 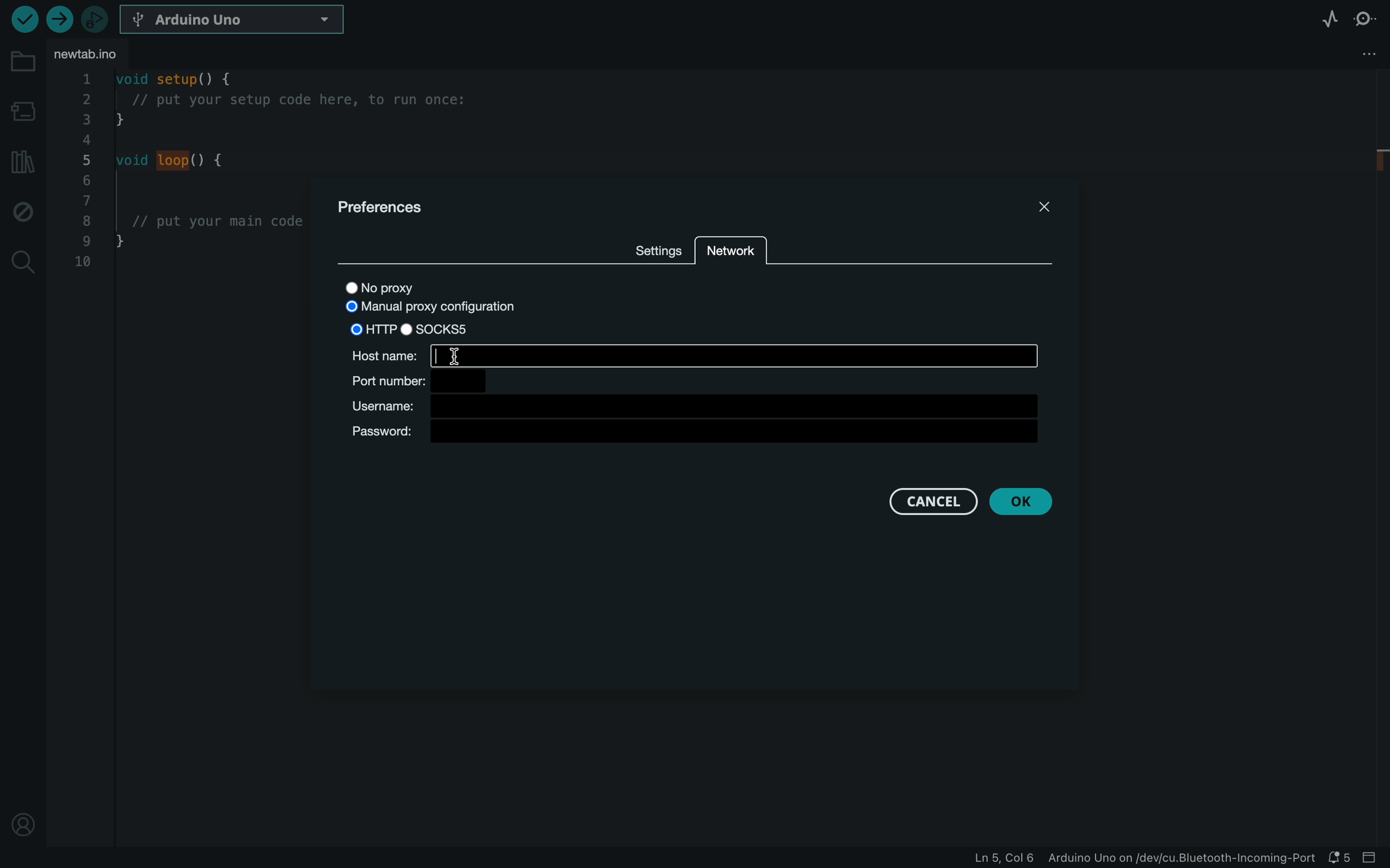 What do you see at coordinates (96, 18) in the screenshot?
I see `debugger` at bounding box center [96, 18].